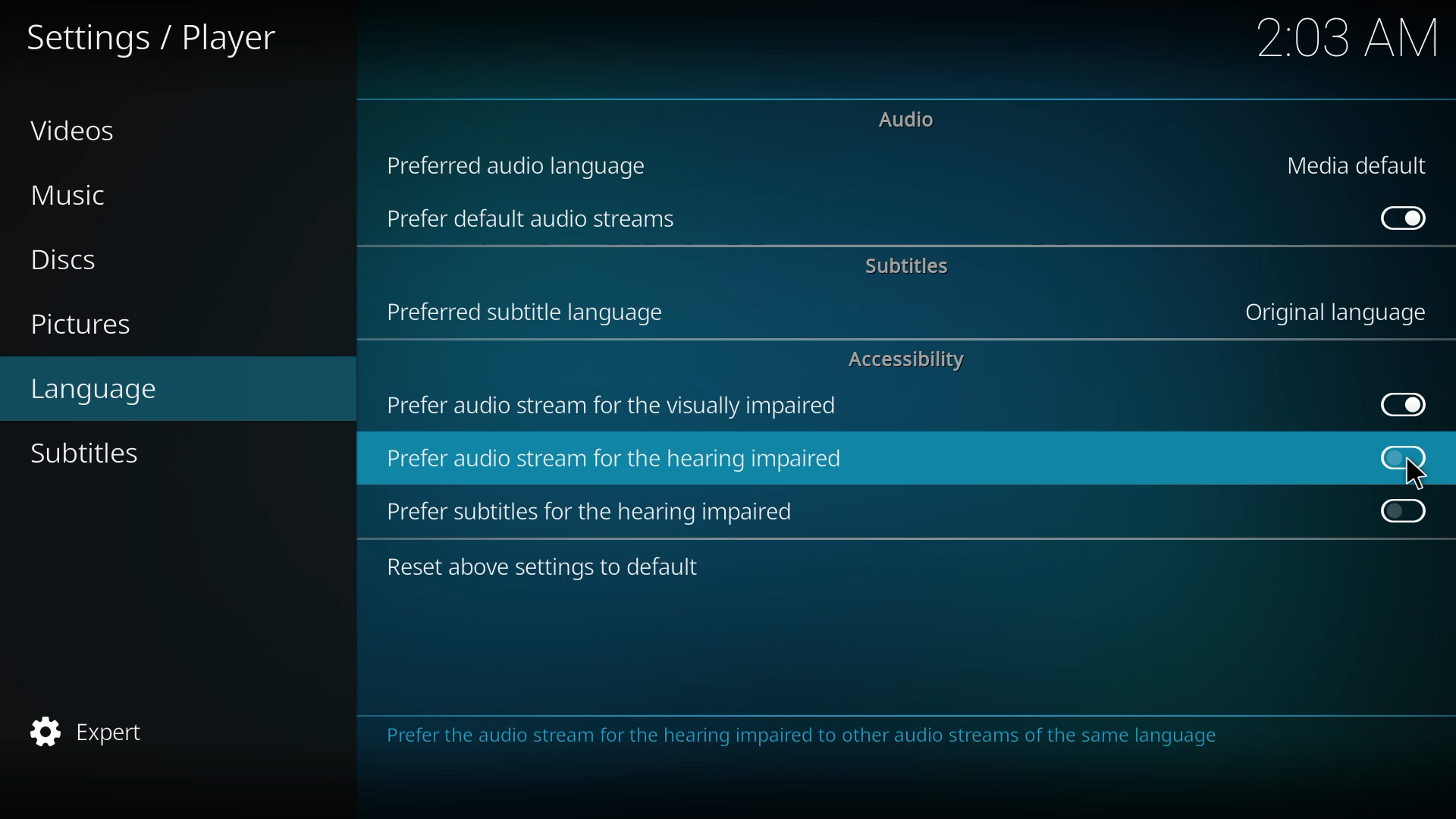 The height and width of the screenshot is (819, 1456). Describe the element at coordinates (597, 510) in the screenshot. I see `prefer subtitles for hearing impaired` at that location.